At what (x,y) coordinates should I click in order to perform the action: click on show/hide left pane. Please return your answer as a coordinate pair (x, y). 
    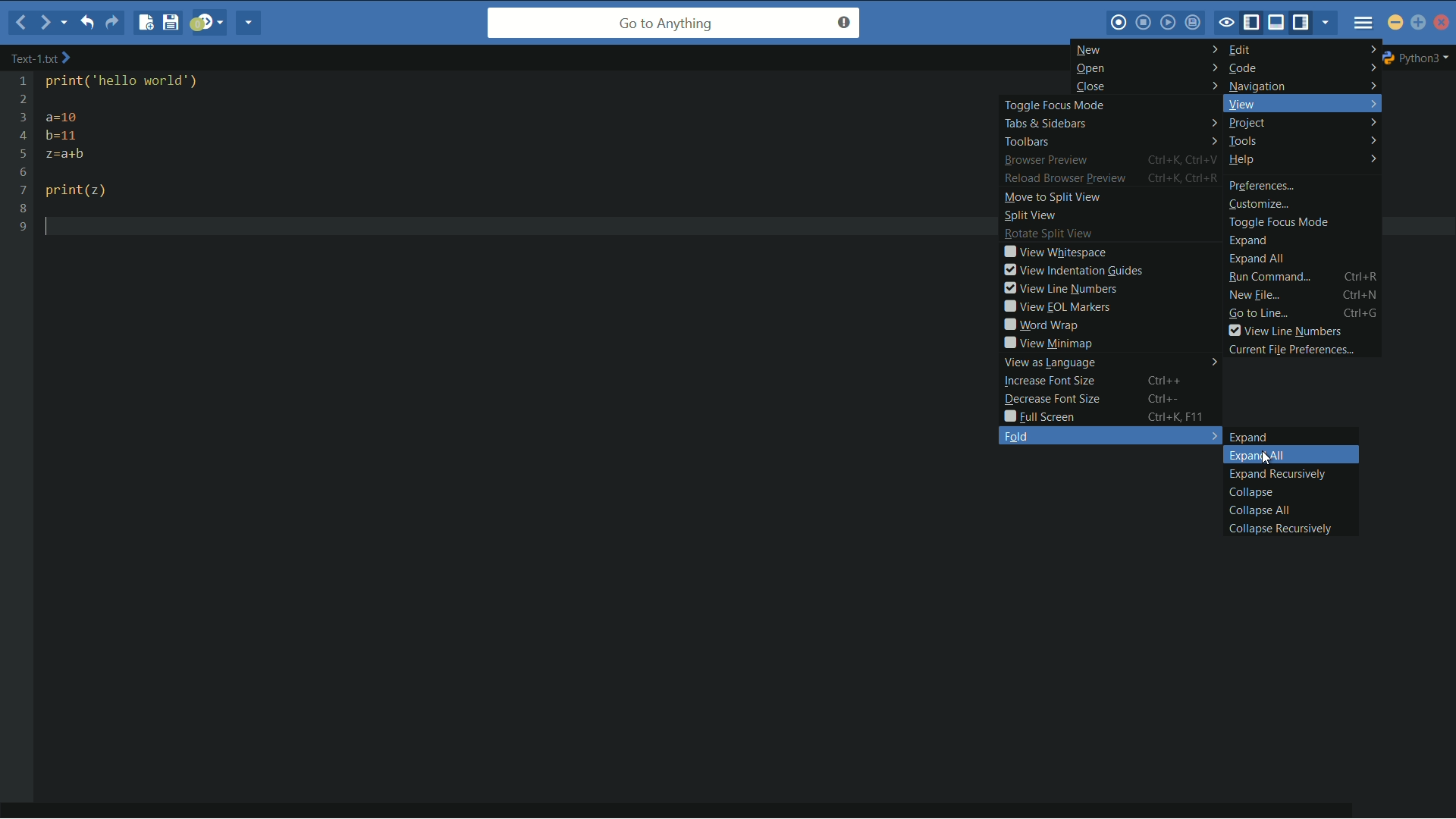
    Looking at the image, I should click on (1254, 22).